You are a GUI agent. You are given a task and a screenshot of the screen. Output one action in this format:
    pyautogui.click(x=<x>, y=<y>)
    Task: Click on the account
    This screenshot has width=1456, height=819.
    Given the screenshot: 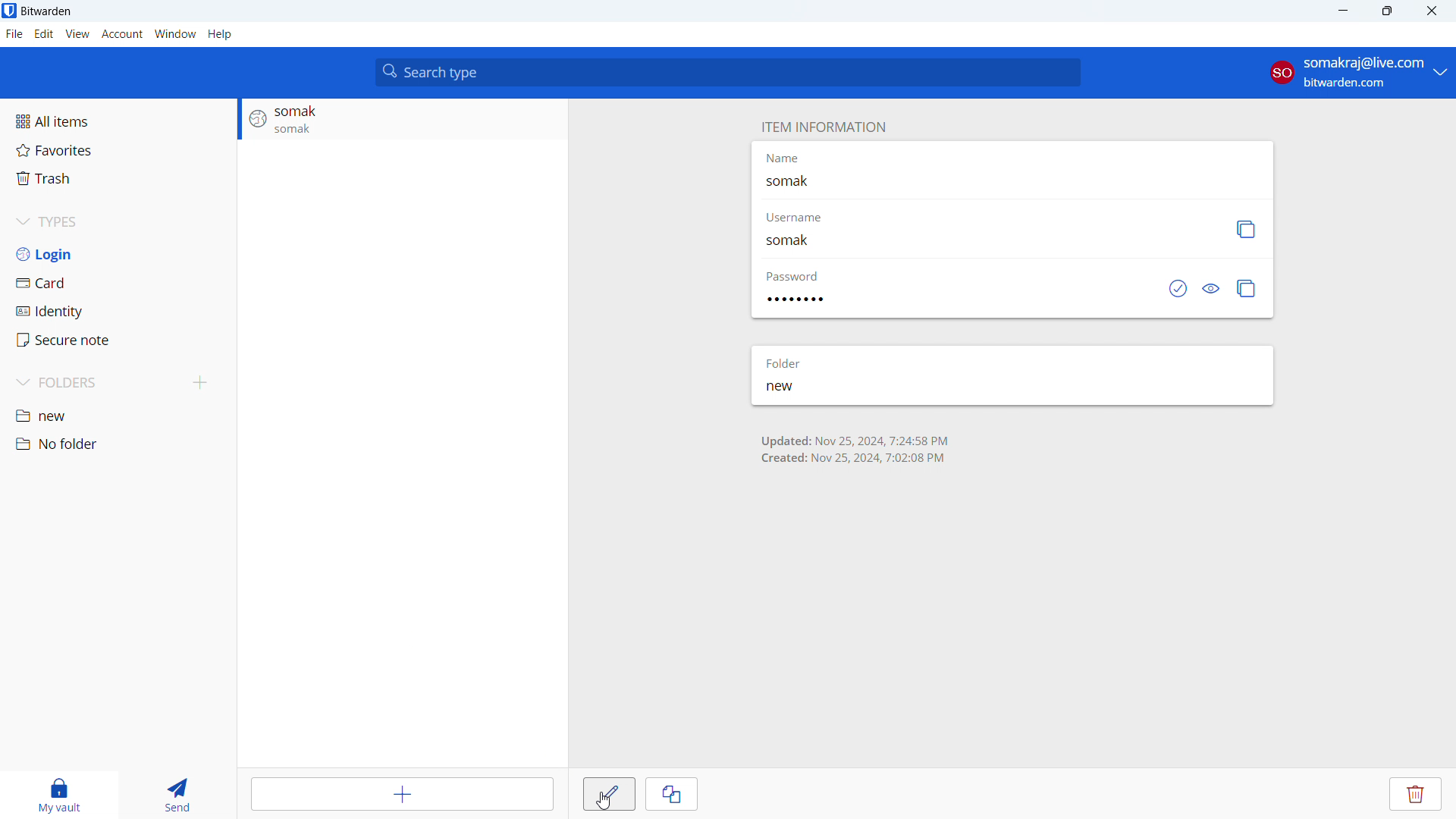 What is the action you would take?
    pyautogui.click(x=123, y=34)
    